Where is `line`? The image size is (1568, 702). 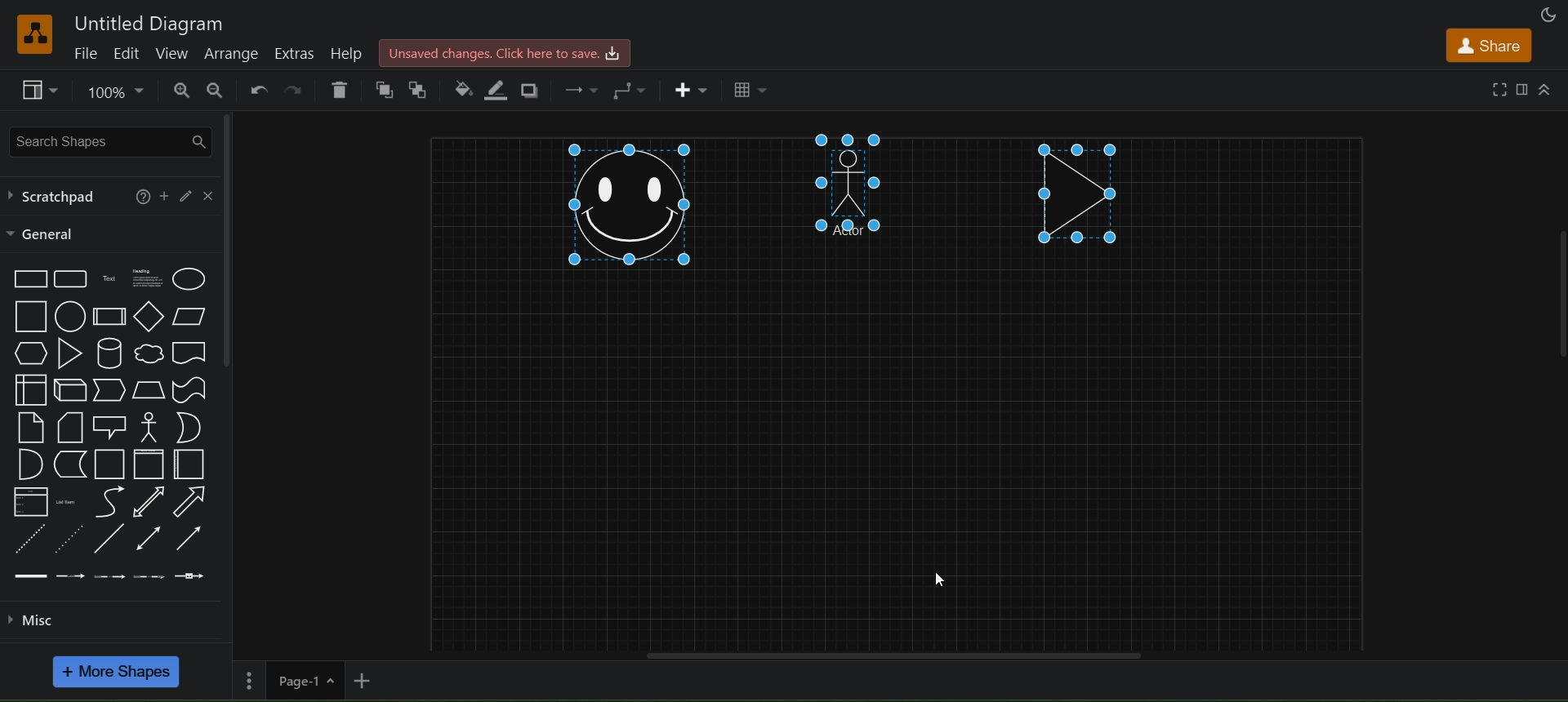
line is located at coordinates (110, 539).